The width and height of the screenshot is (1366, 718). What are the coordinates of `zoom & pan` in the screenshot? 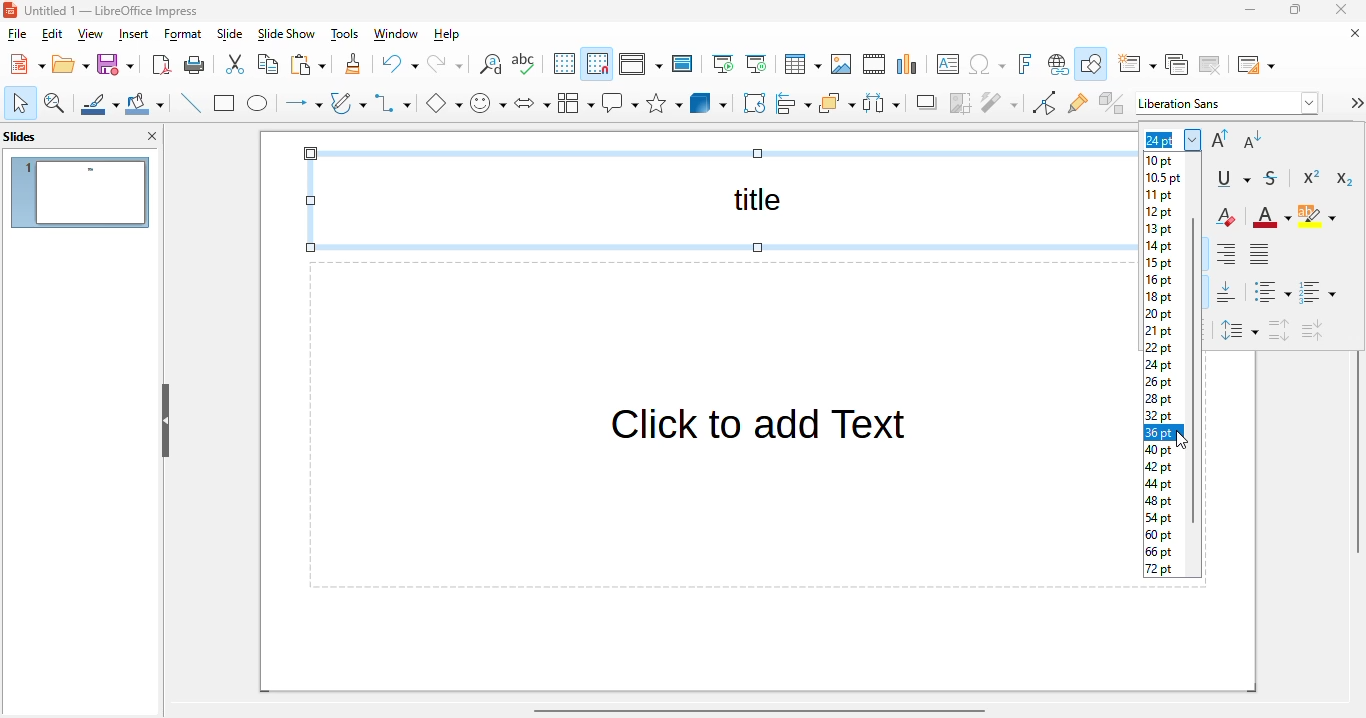 It's located at (55, 103).